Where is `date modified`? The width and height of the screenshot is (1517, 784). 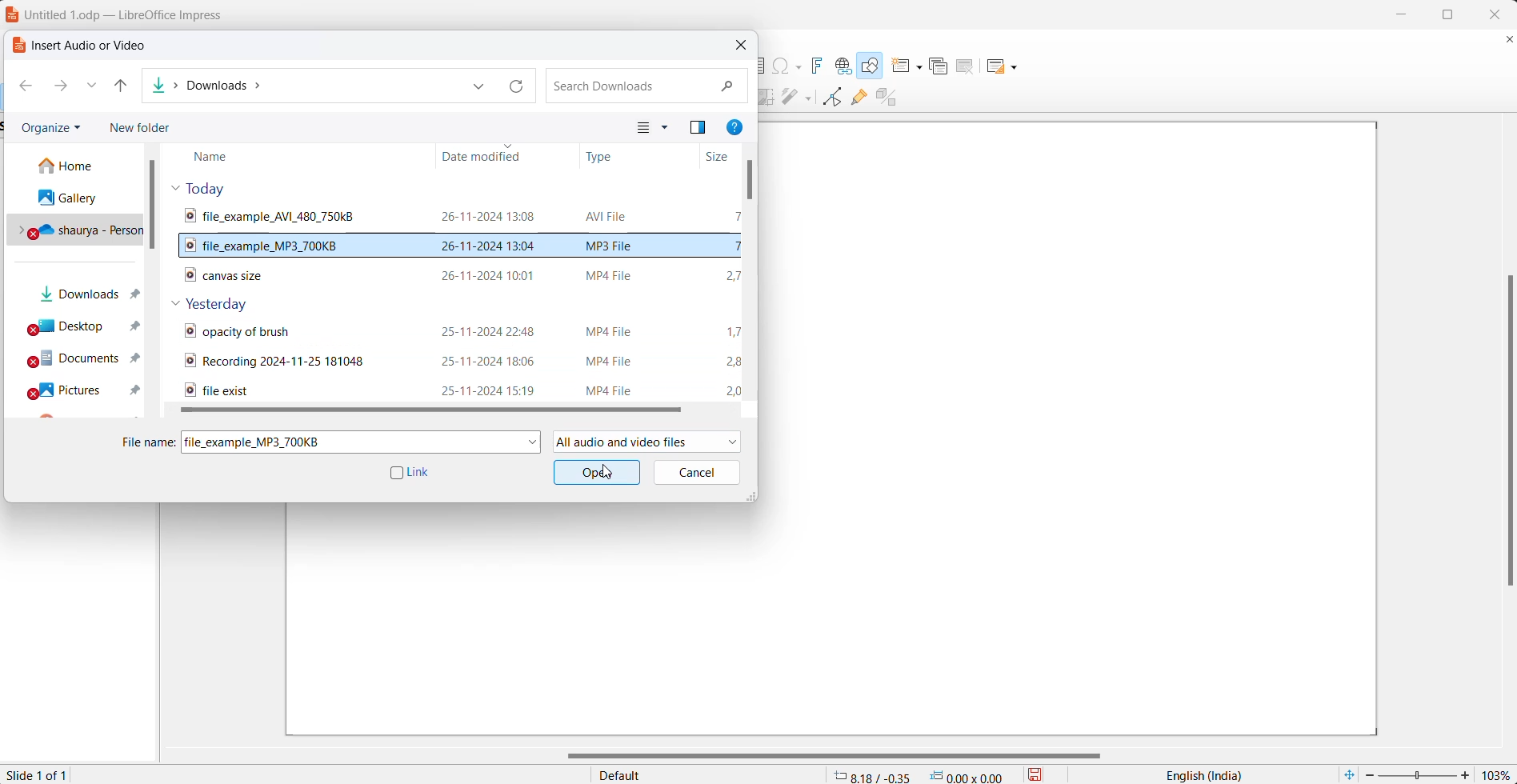
date modified is located at coordinates (489, 156).